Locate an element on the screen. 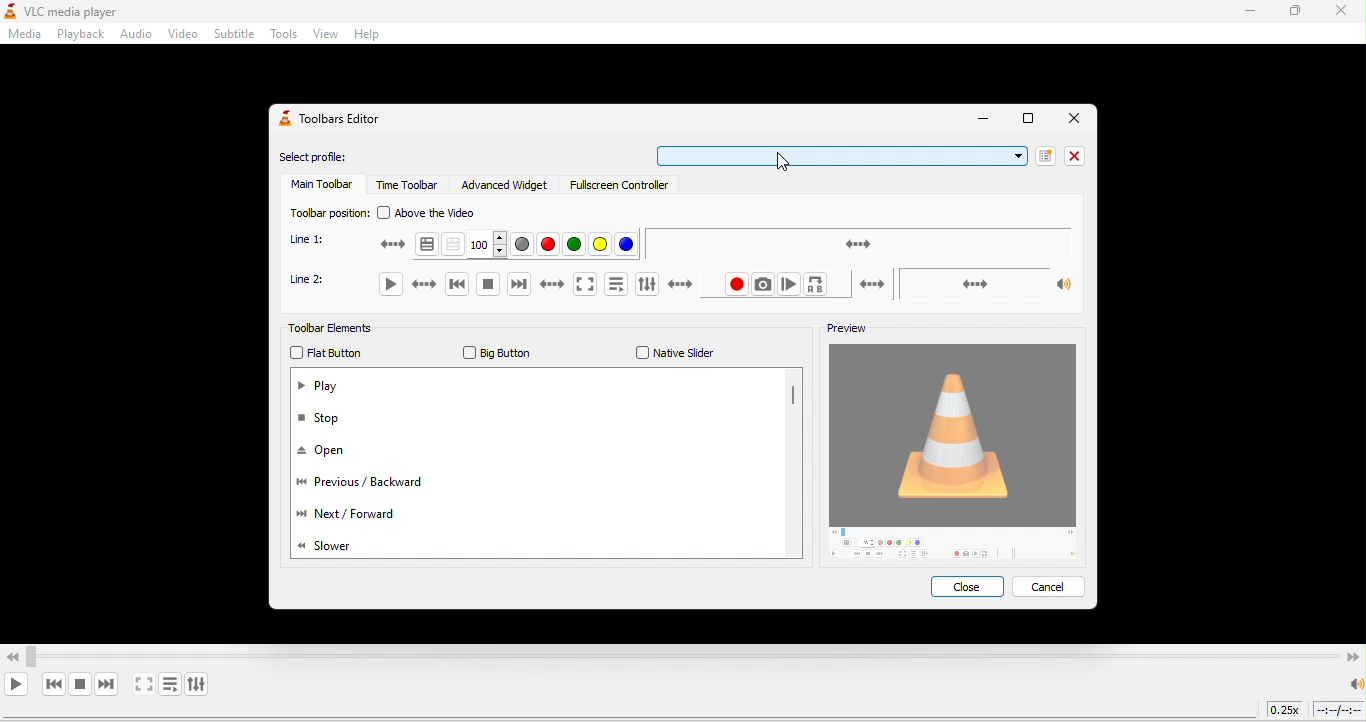 The image size is (1366, 722). view is located at coordinates (323, 36).